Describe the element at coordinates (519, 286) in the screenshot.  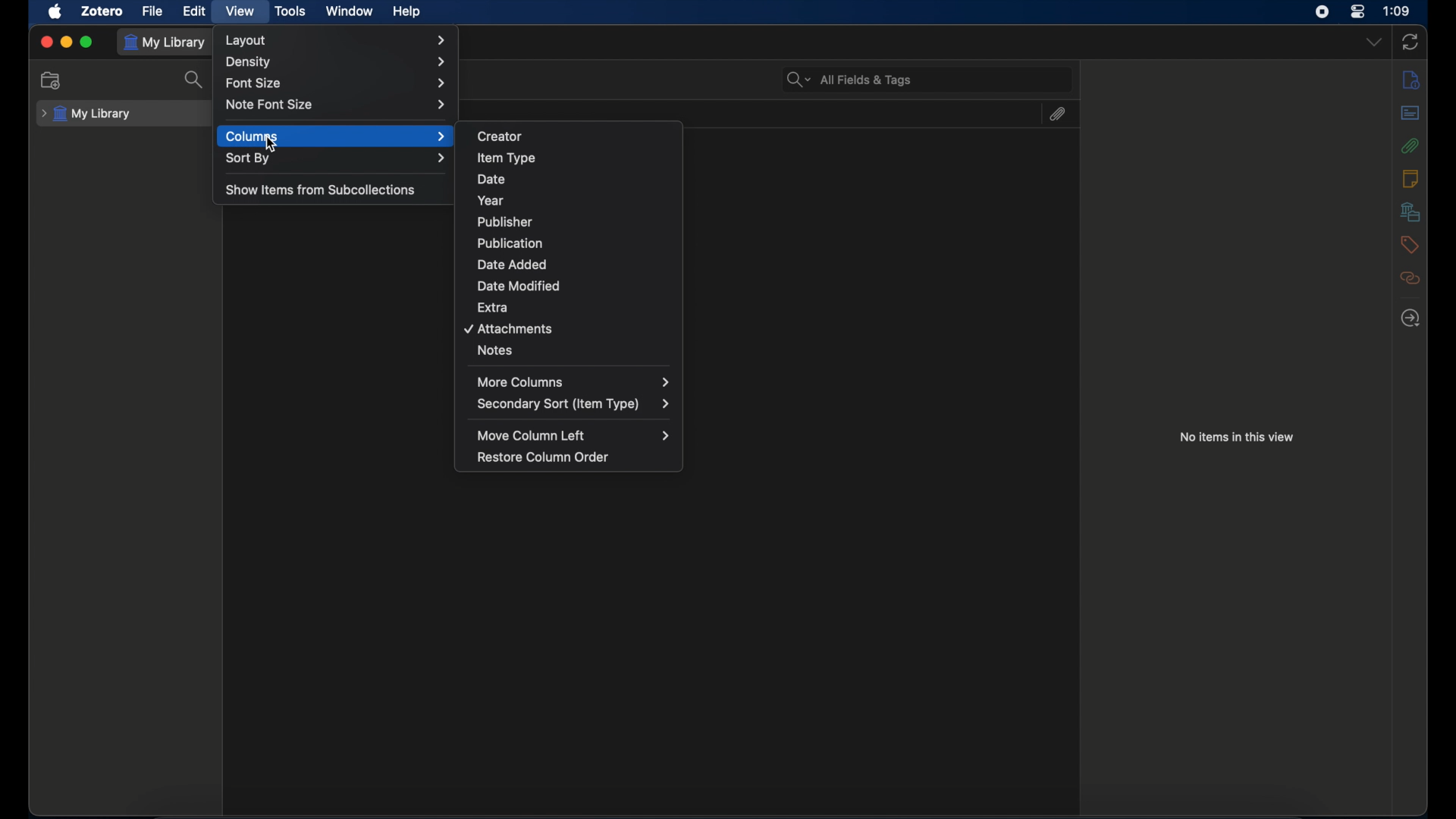
I see `date modified` at that location.